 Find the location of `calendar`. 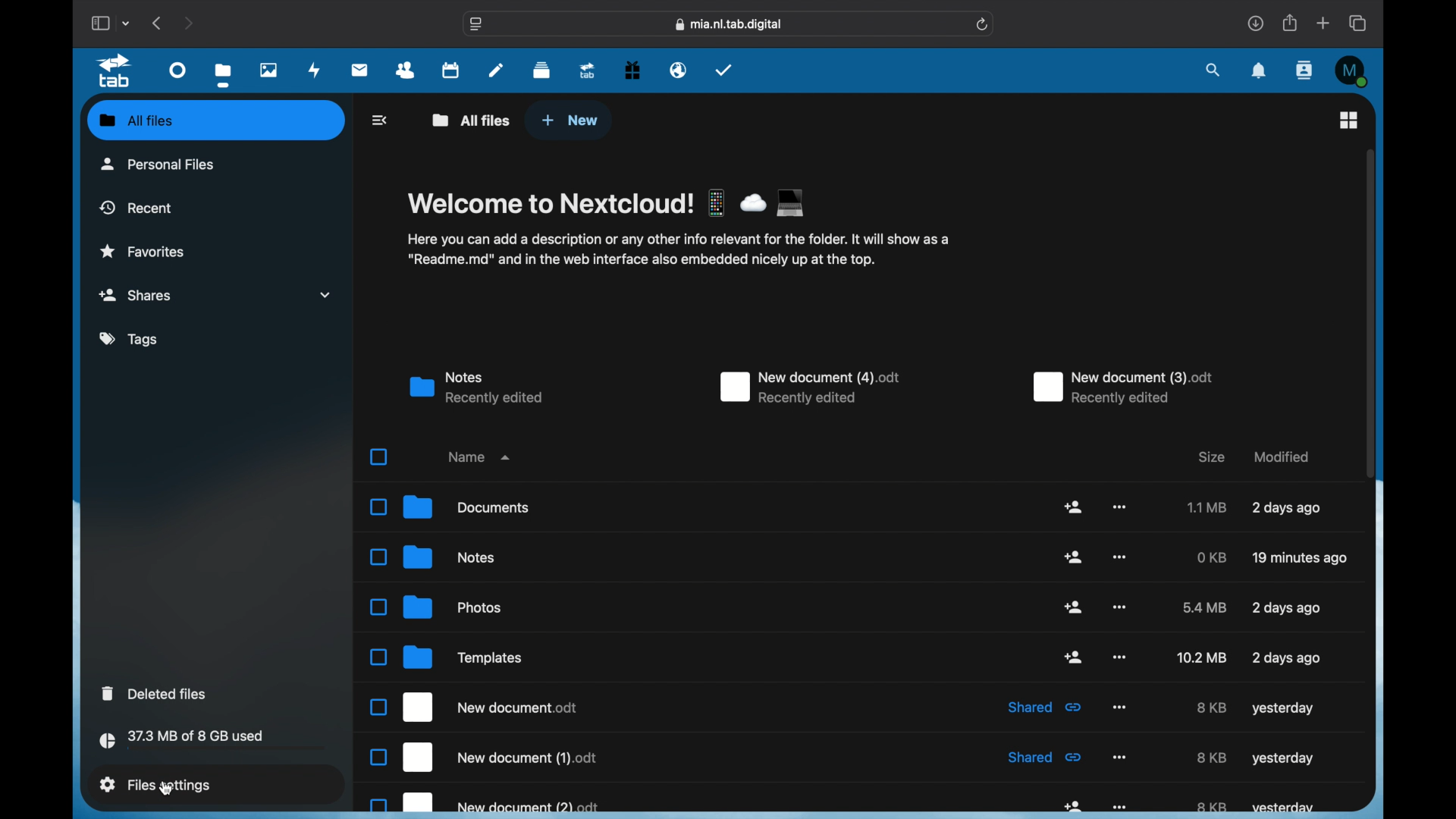

calendar is located at coordinates (452, 71).